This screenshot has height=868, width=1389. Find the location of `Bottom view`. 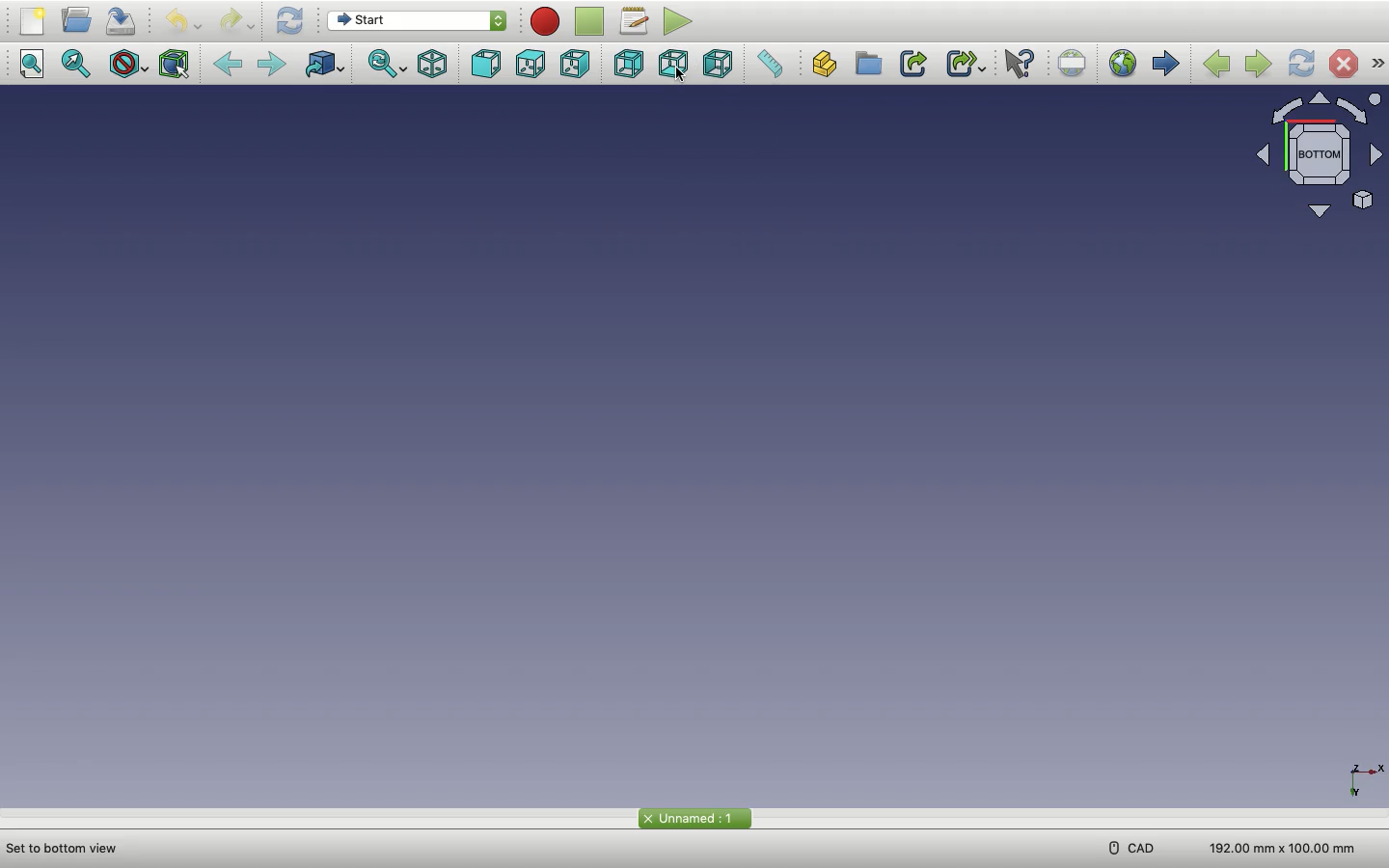

Bottom view is located at coordinates (1312, 159).